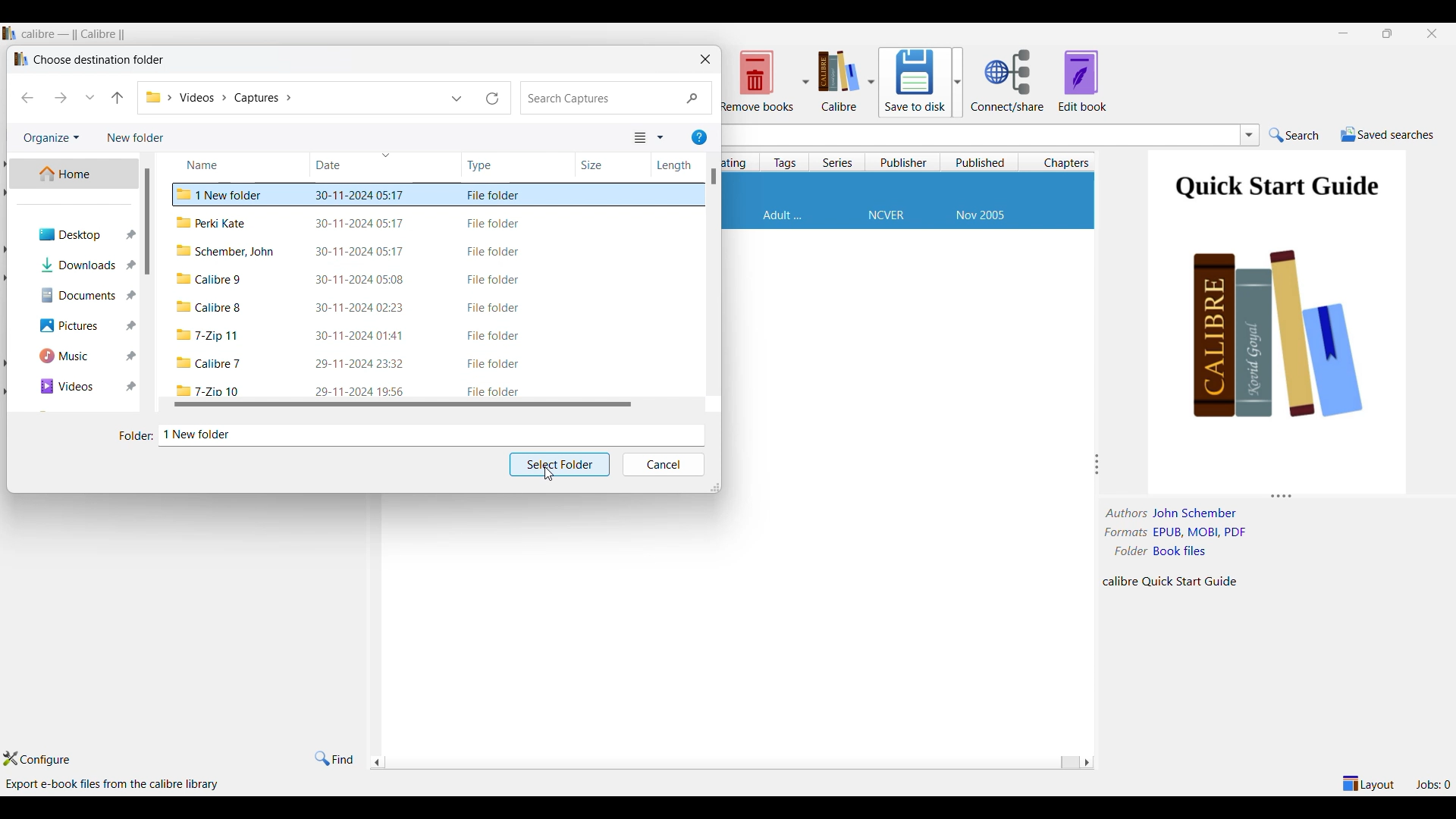  What do you see at coordinates (376, 764) in the screenshot?
I see `scroll right` at bounding box center [376, 764].